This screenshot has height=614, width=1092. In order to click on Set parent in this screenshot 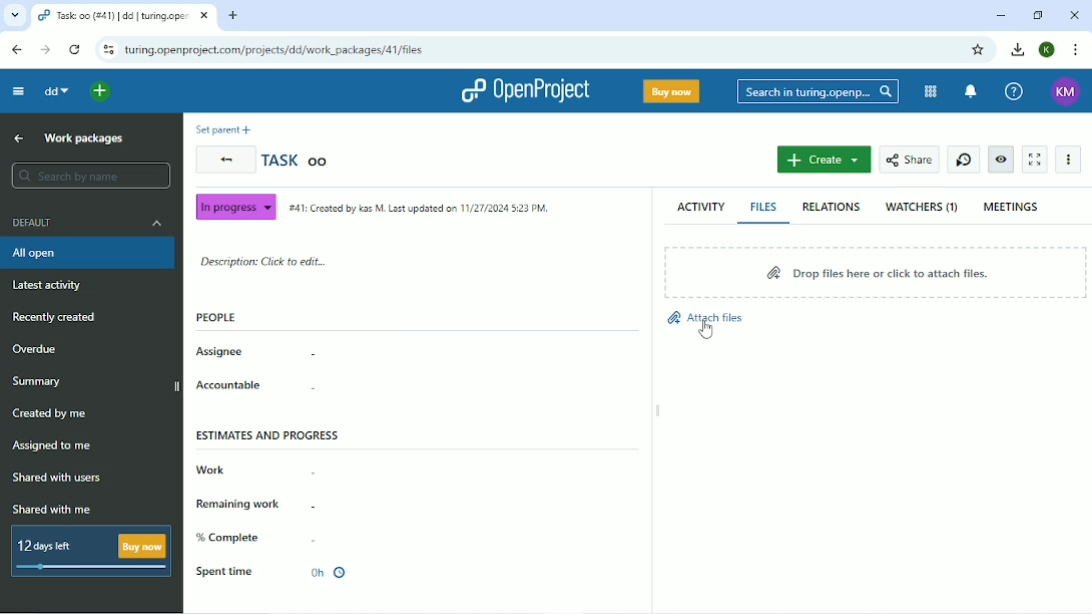, I will do `click(224, 131)`.